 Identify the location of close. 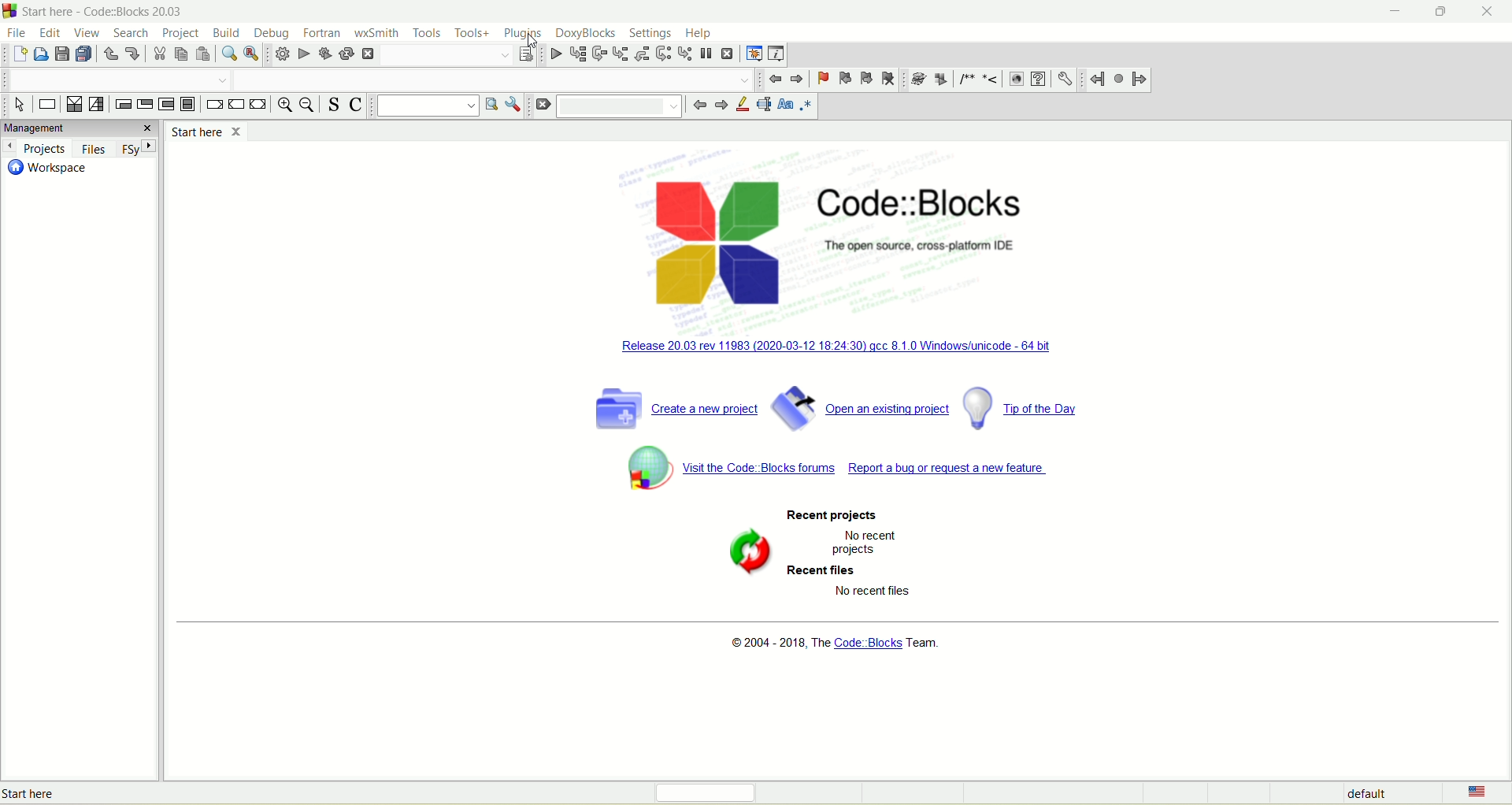
(1491, 12).